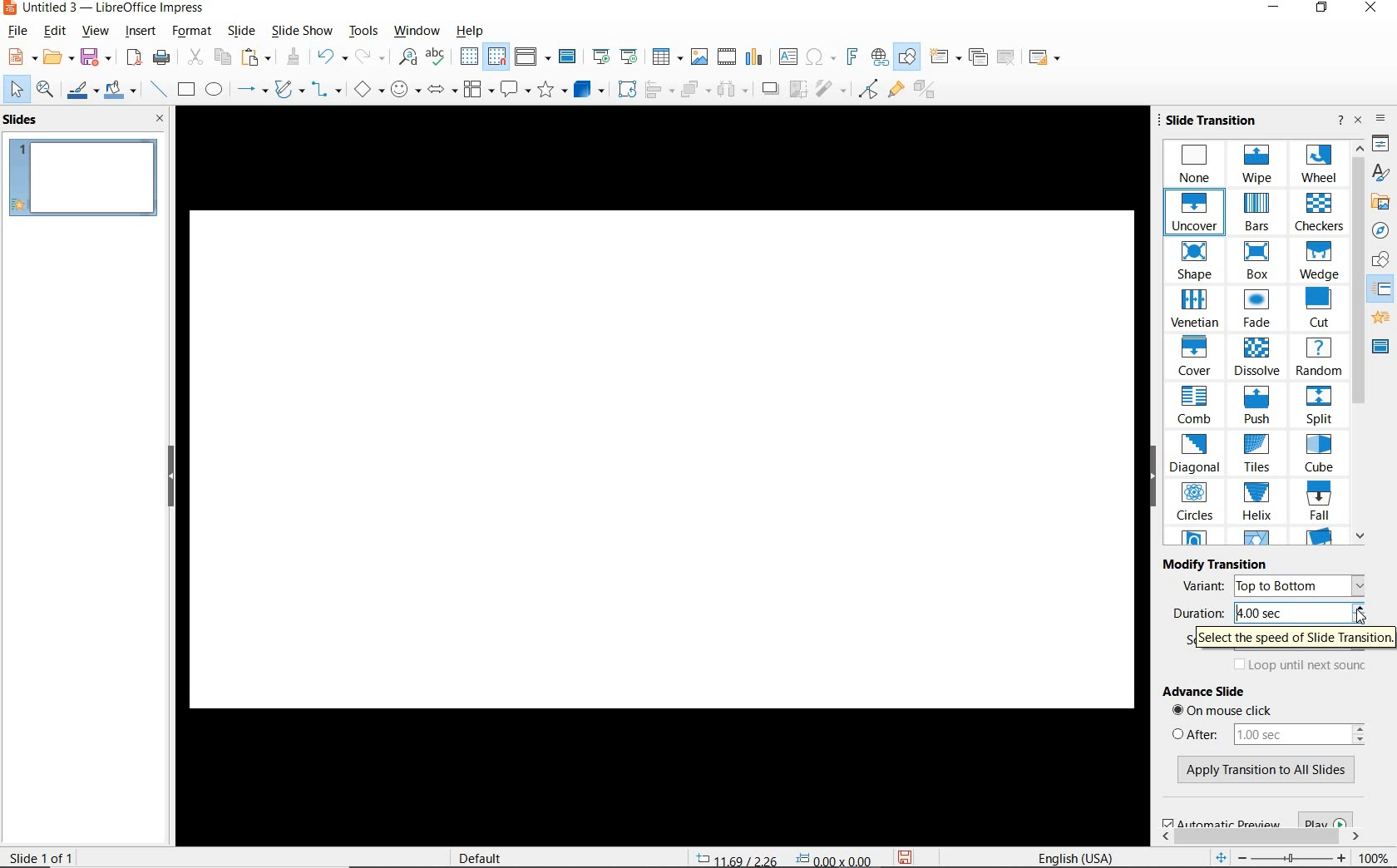  What do you see at coordinates (1264, 772) in the screenshot?
I see `APPLY TRANSITION TO ALL SLIDES` at bounding box center [1264, 772].